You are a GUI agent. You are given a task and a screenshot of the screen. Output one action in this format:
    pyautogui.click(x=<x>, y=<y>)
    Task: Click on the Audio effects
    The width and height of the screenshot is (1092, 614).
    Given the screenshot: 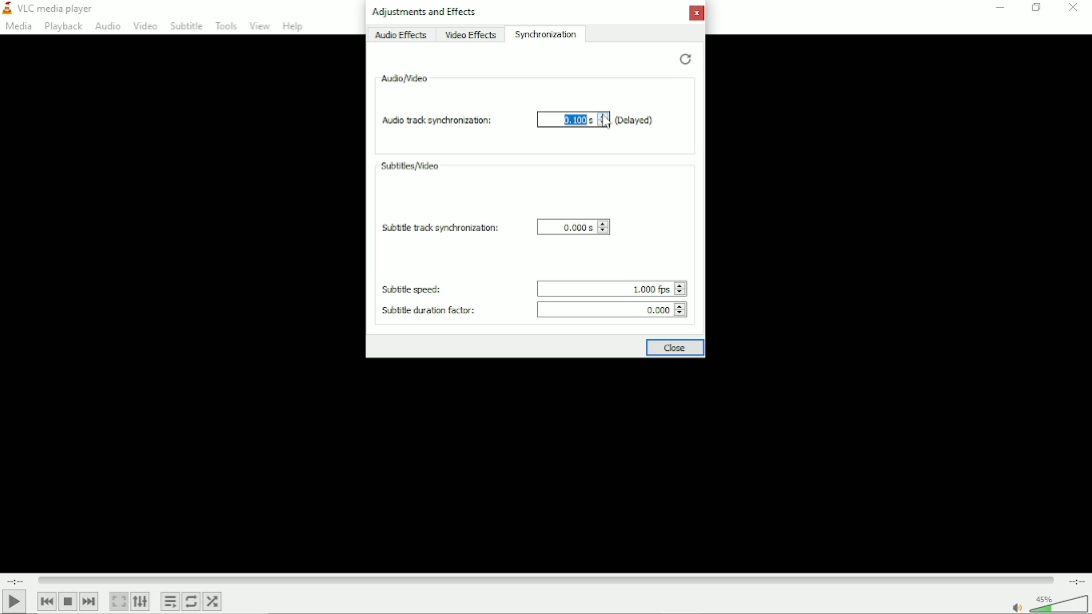 What is the action you would take?
    pyautogui.click(x=401, y=34)
    